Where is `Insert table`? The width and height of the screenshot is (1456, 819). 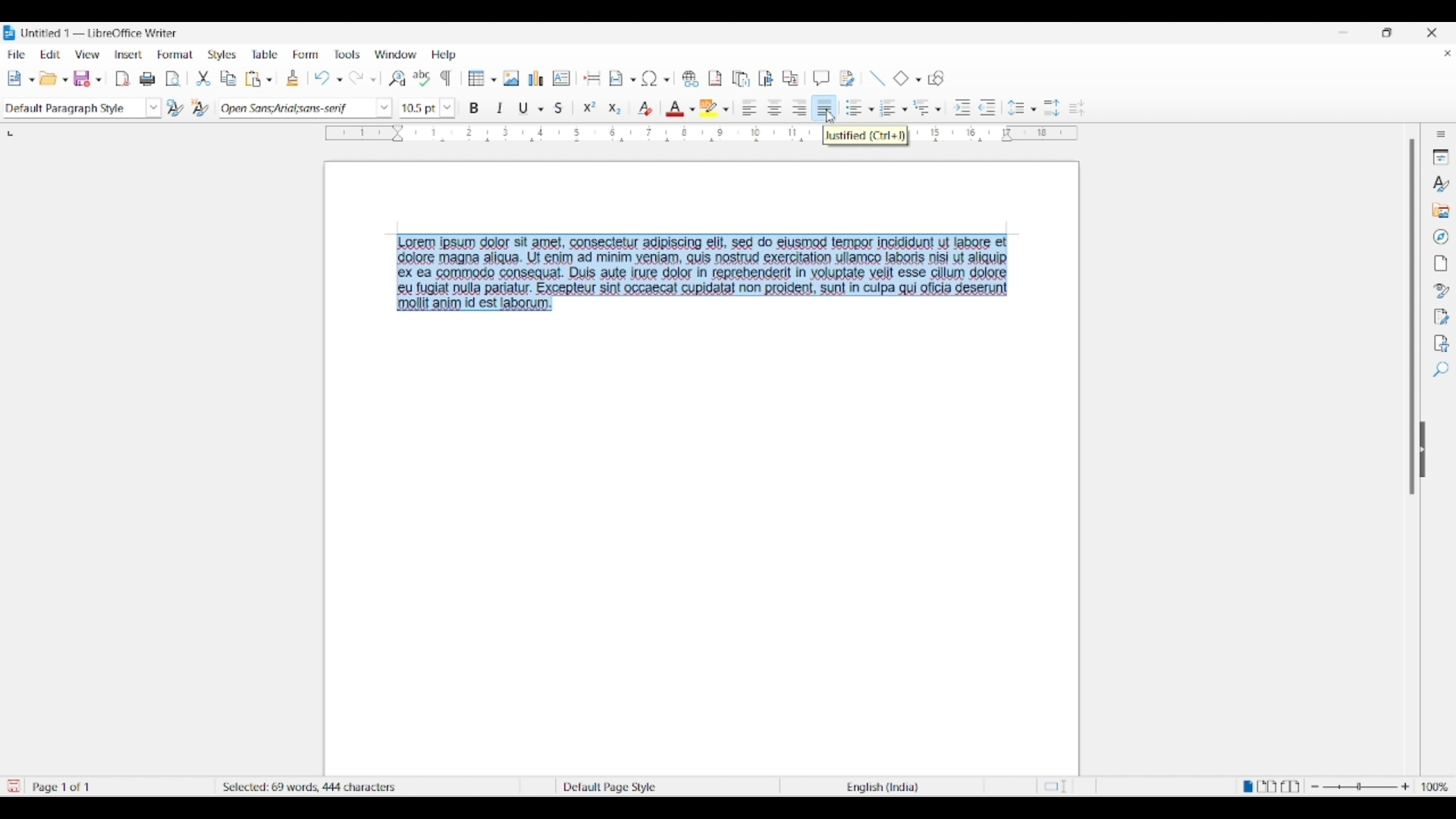
Insert table is located at coordinates (482, 78).